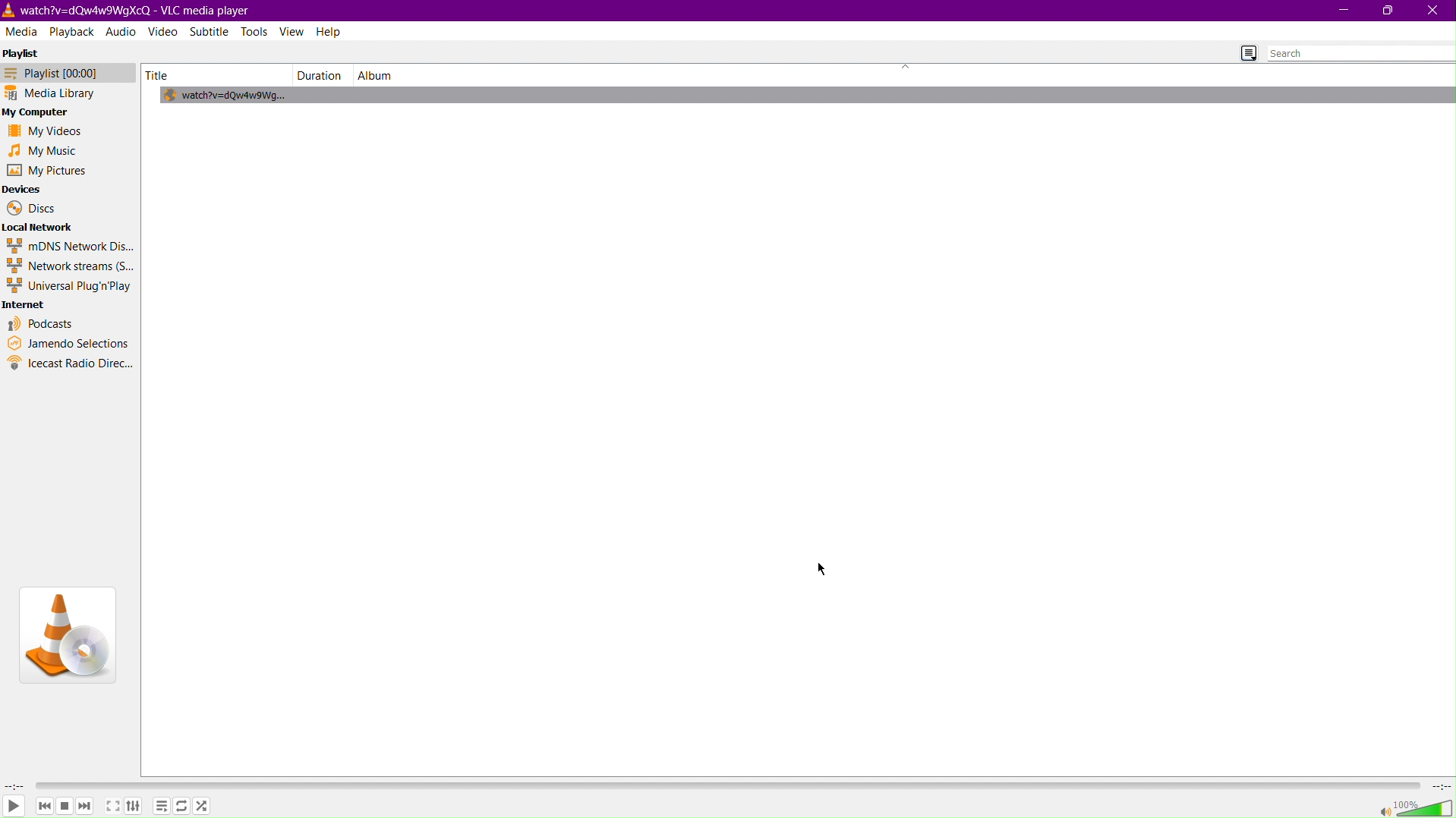 Image resolution: width=1456 pixels, height=818 pixels. Describe the element at coordinates (66, 807) in the screenshot. I see `Stop` at that location.